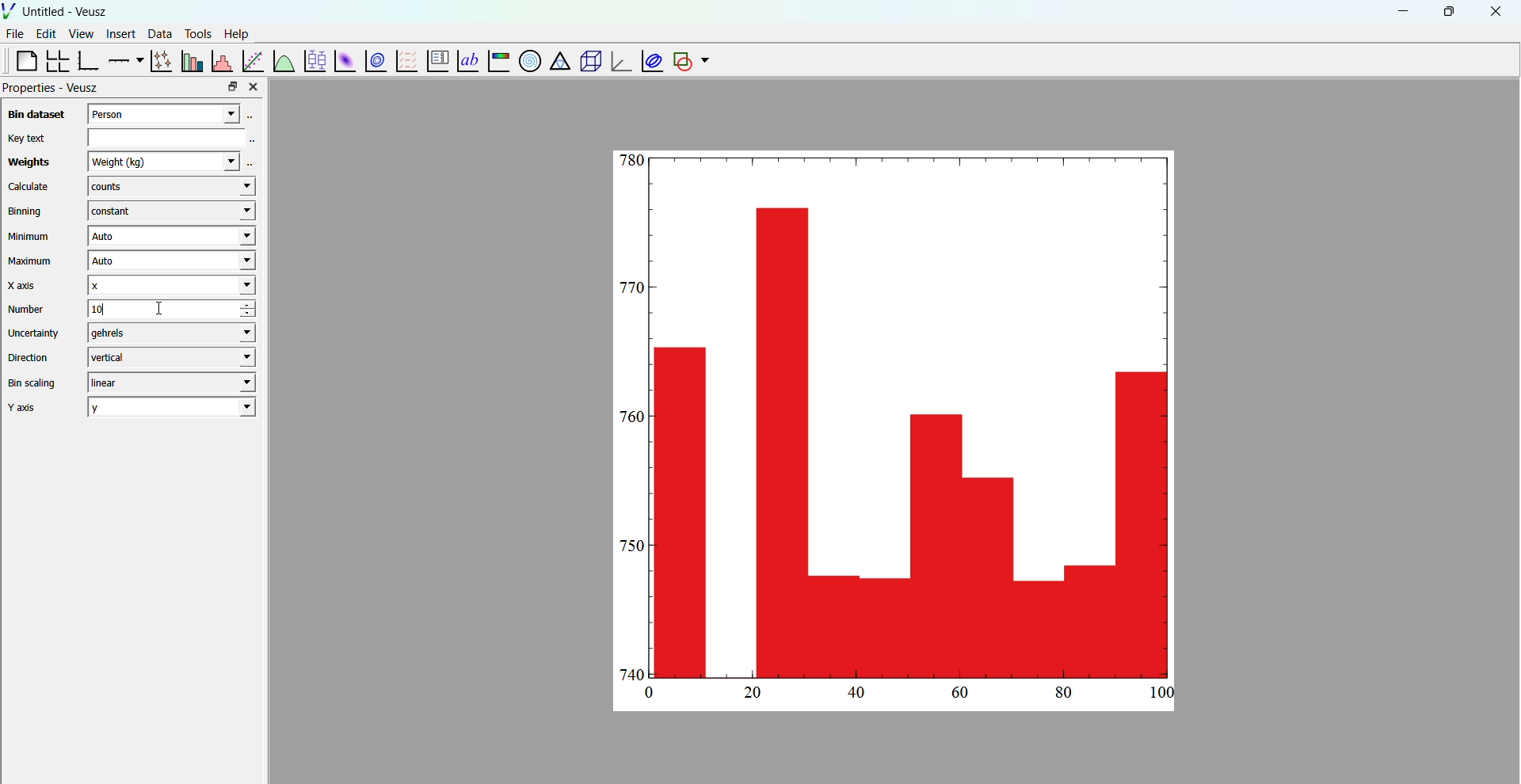 The width and height of the screenshot is (1521, 784). Describe the element at coordinates (221, 59) in the screenshot. I see `Histogram of a dataset` at that location.